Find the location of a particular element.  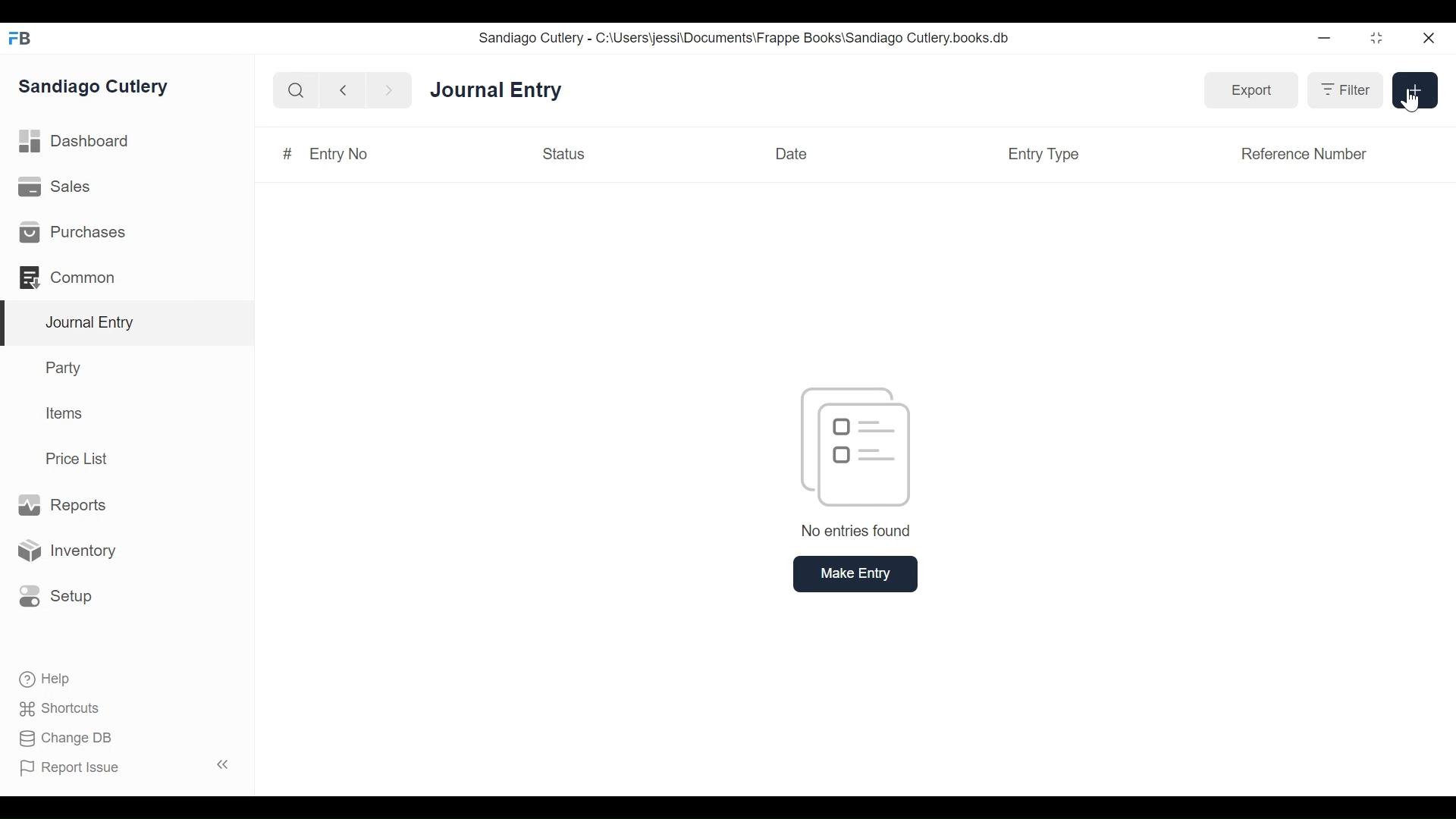

Search is located at coordinates (297, 91).